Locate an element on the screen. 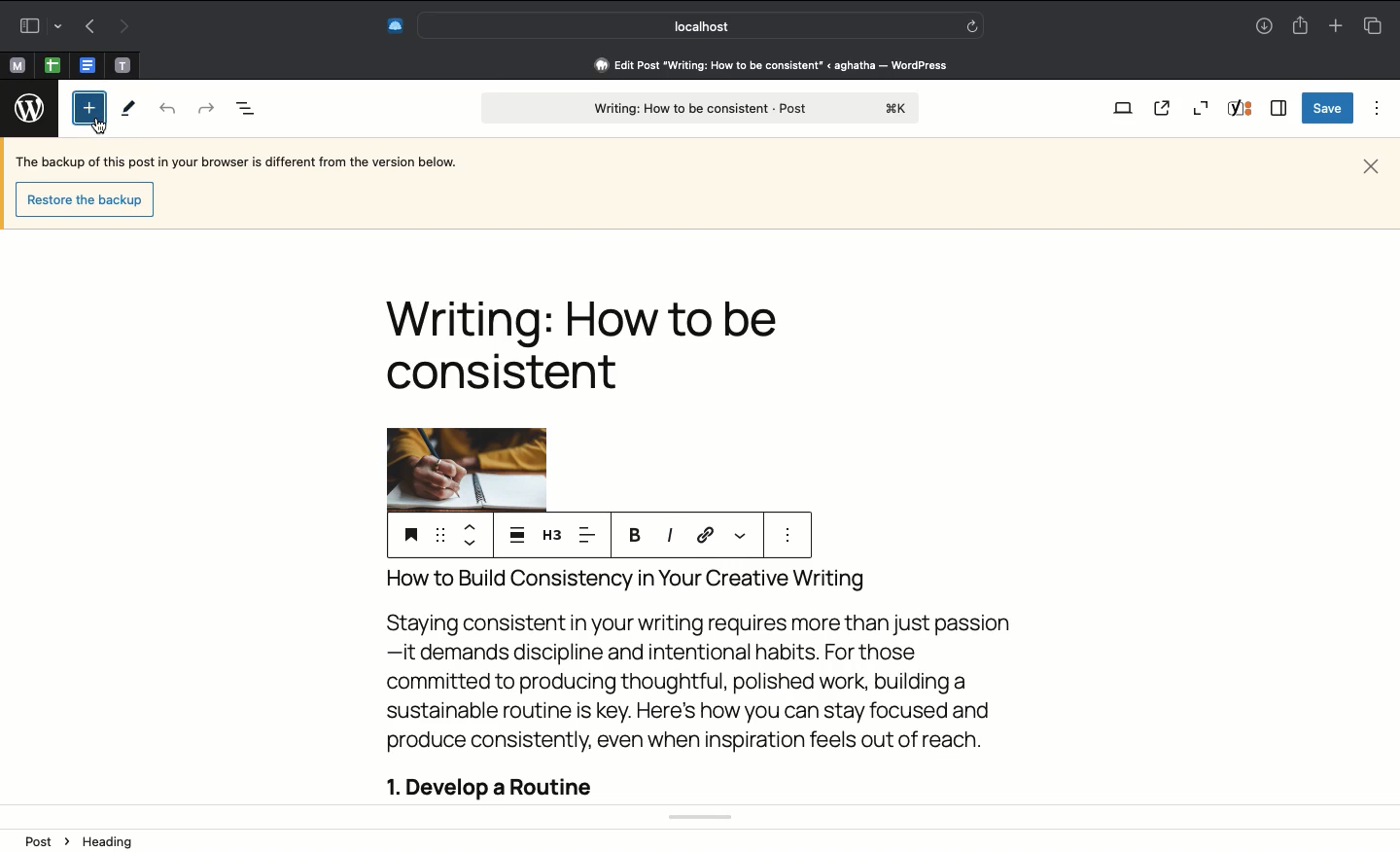 This screenshot has width=1400, height=852. Image is located at coordinates (105, 839).